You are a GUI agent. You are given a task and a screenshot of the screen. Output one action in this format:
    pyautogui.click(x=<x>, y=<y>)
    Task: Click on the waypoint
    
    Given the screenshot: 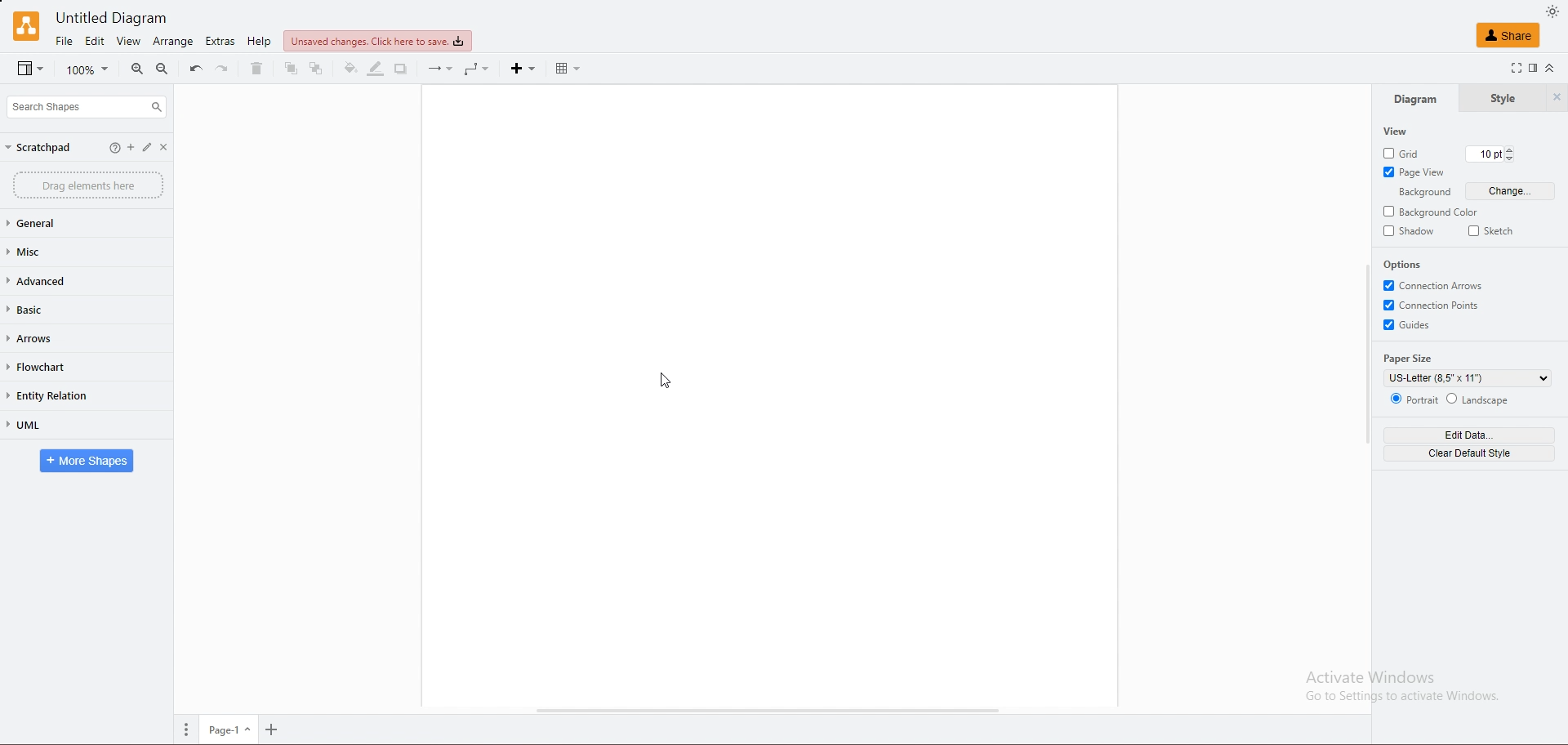 What is the action you would take?
    pyautogui.click(x=479, y=69)
    